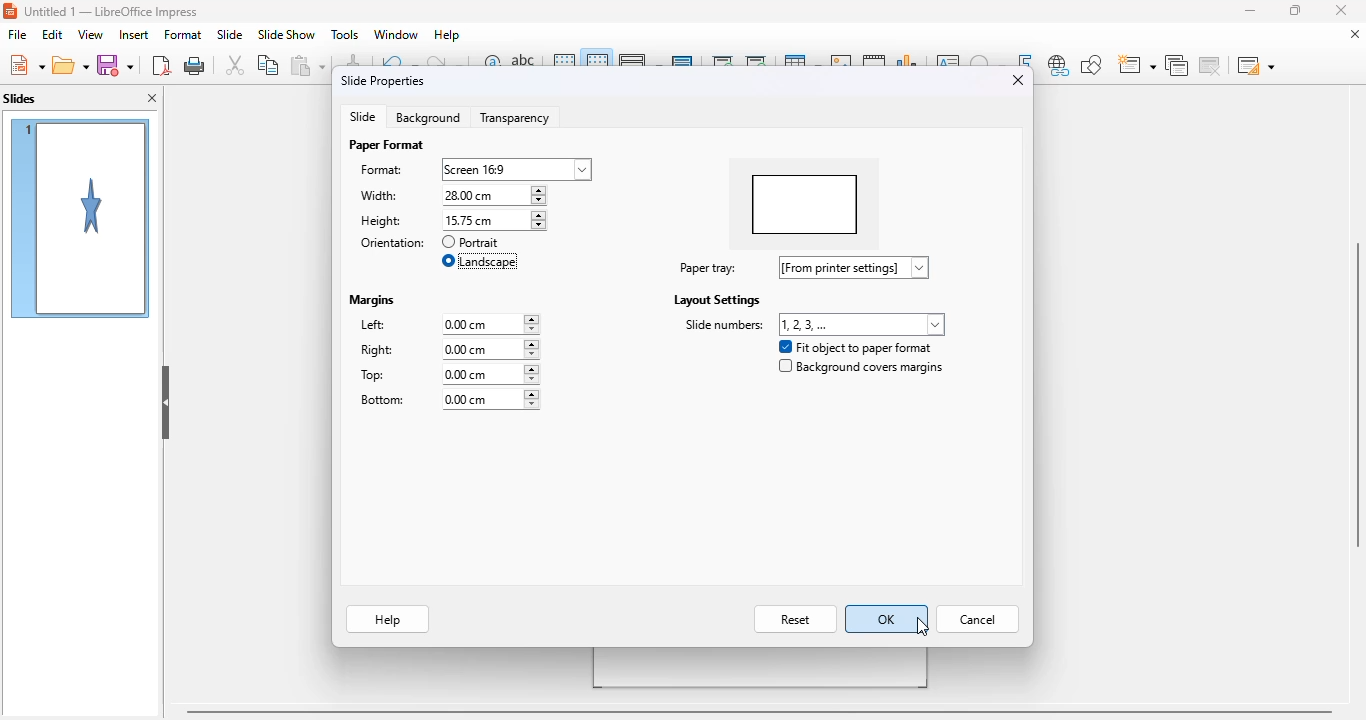 The width and height of the screenshot is (1366, 720). Describe the element at coordinates (533, 331) in the screenshot. I see `decrease left margin` at that location.